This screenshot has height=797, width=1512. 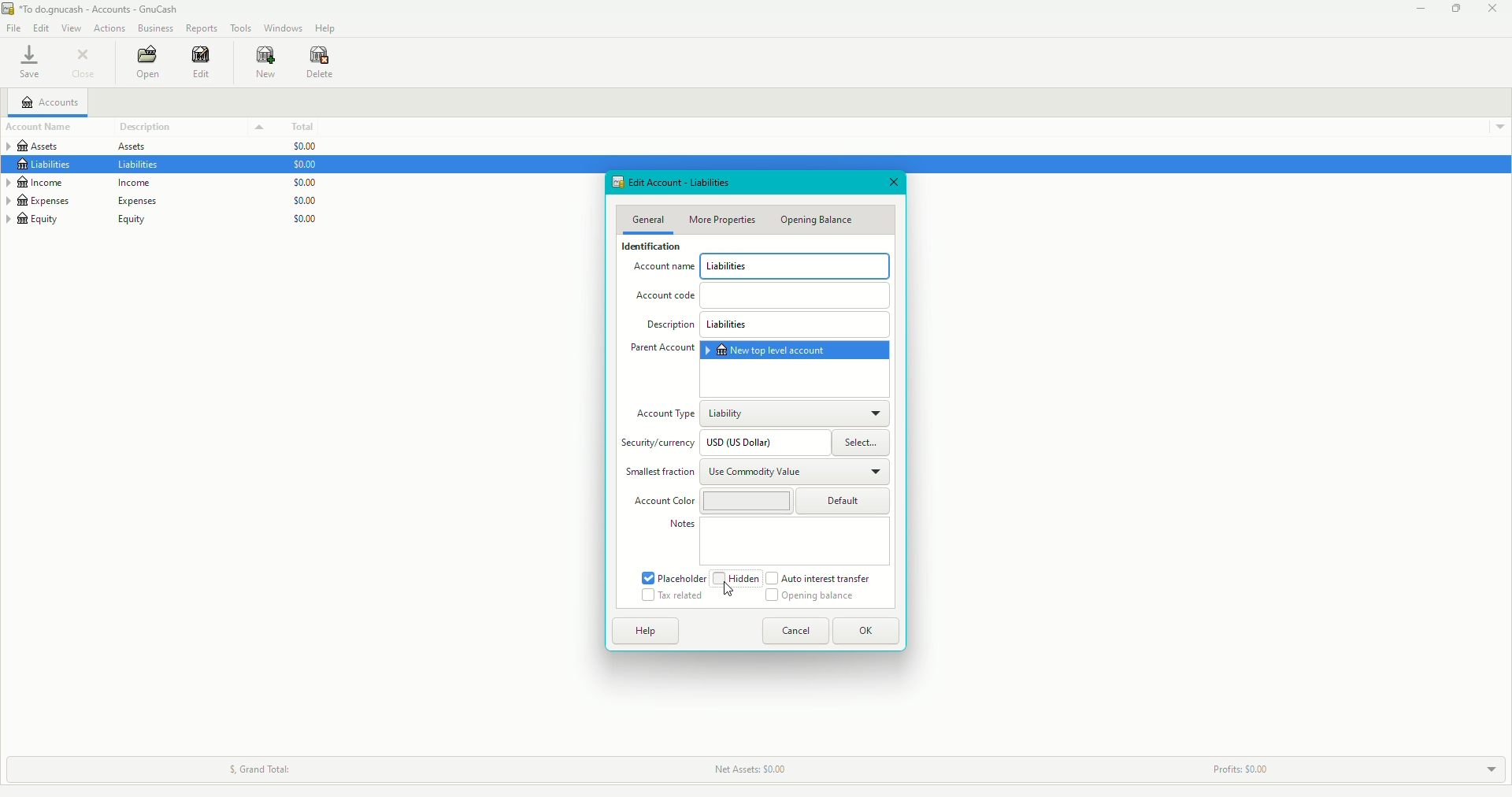 What do you see at coordinates (243, 28) in the screenshot?
I see `Tools` at bounding box center [243, 28].